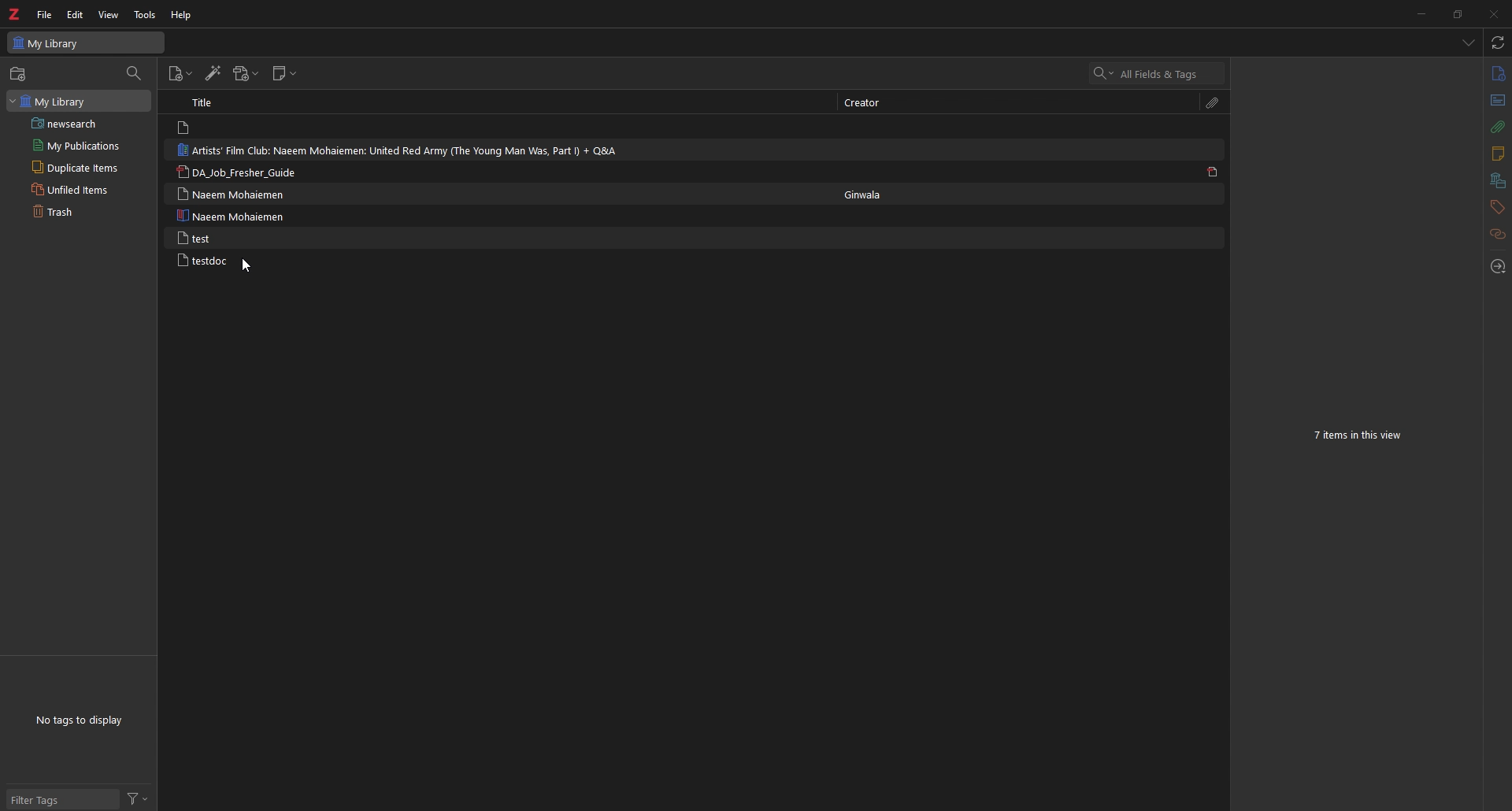 The width and height of the screenshot is (1512, 811). What do you see at coordinates (1215, 172) in the screenshot?
I see `pdf` at bounding box center [1215, 172].